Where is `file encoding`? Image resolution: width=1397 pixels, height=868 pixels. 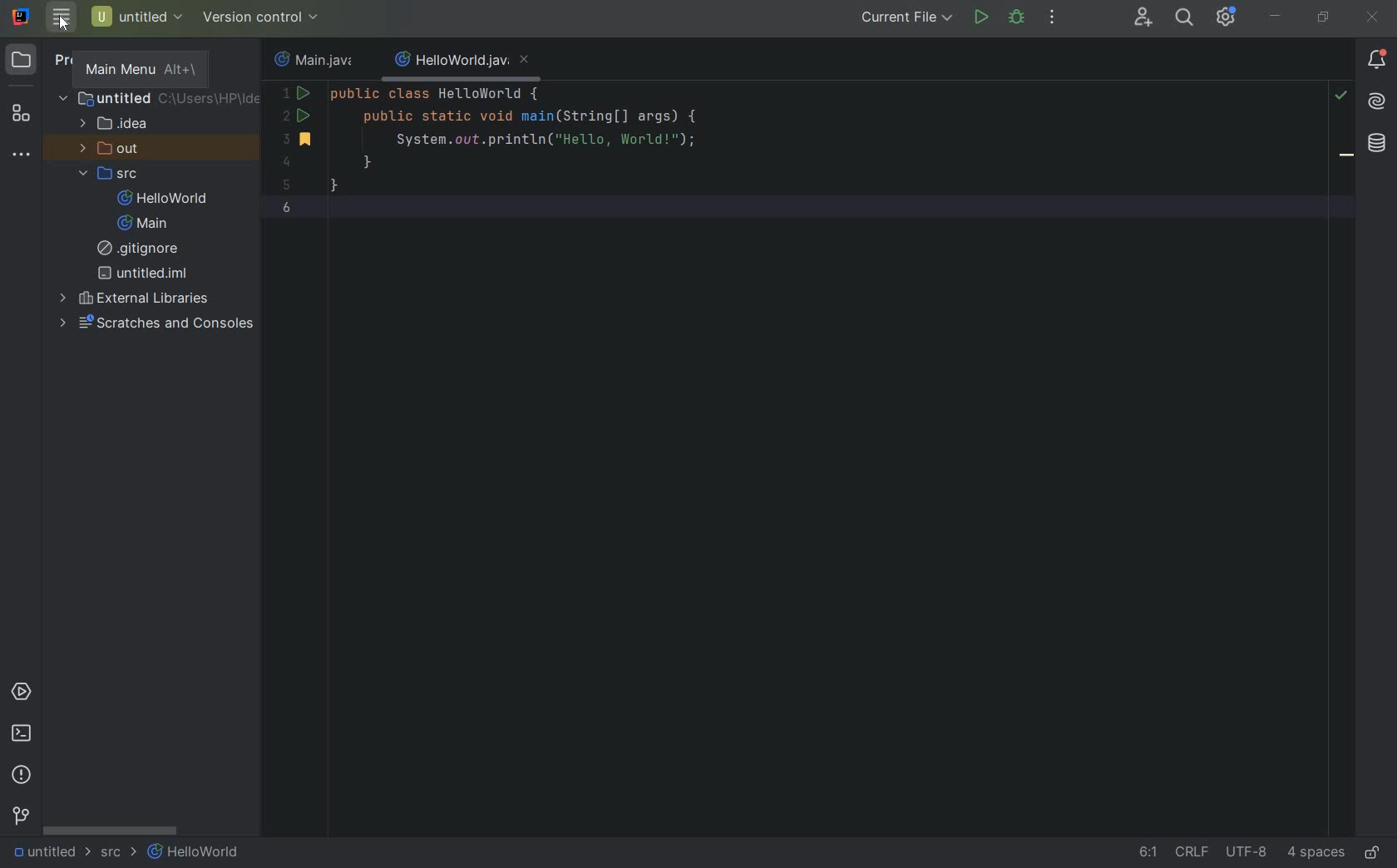 file encoding is located at coordinates (1247, 853).